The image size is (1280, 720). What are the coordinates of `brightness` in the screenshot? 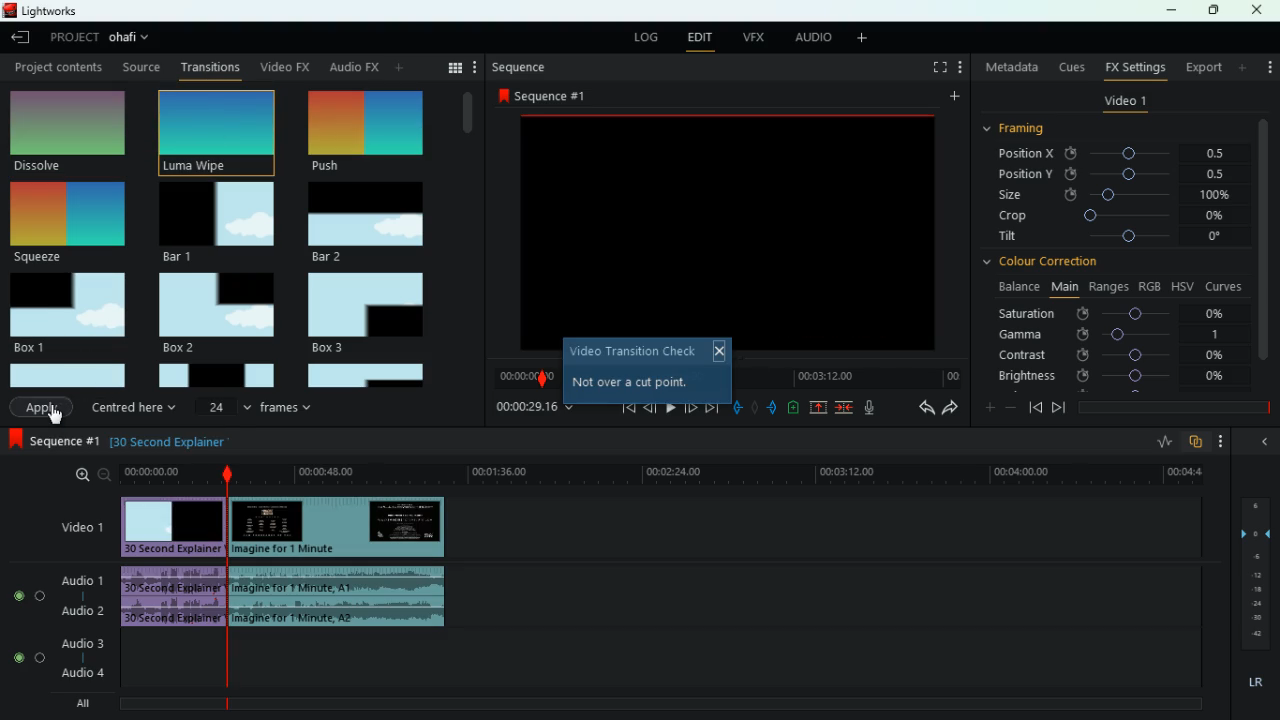 It's located at (1113, 377).